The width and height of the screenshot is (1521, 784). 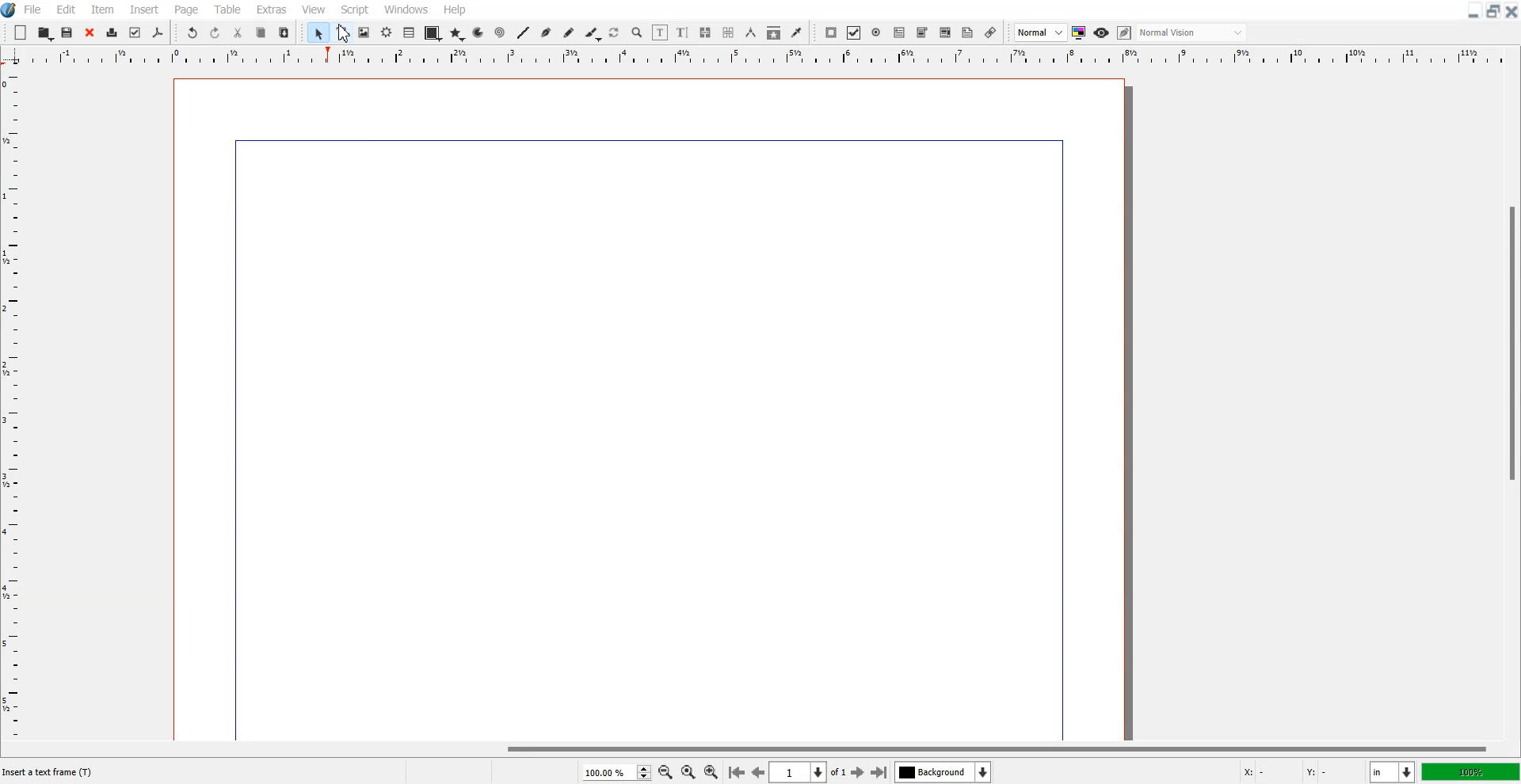 I want to click on Redo, so click(x=215, y=33).